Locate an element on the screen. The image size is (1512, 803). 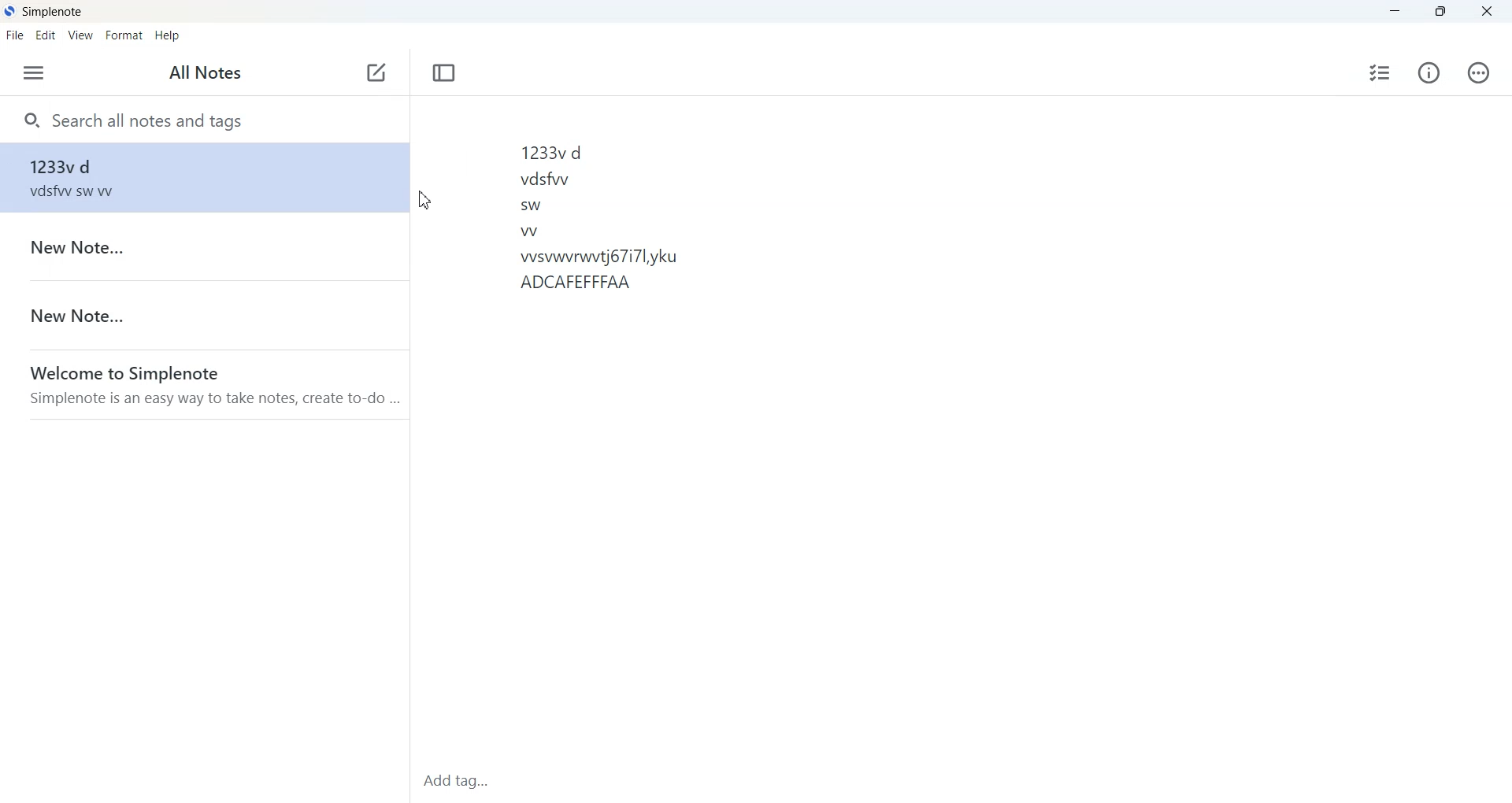
New Note is located at coordinates (201, 176).